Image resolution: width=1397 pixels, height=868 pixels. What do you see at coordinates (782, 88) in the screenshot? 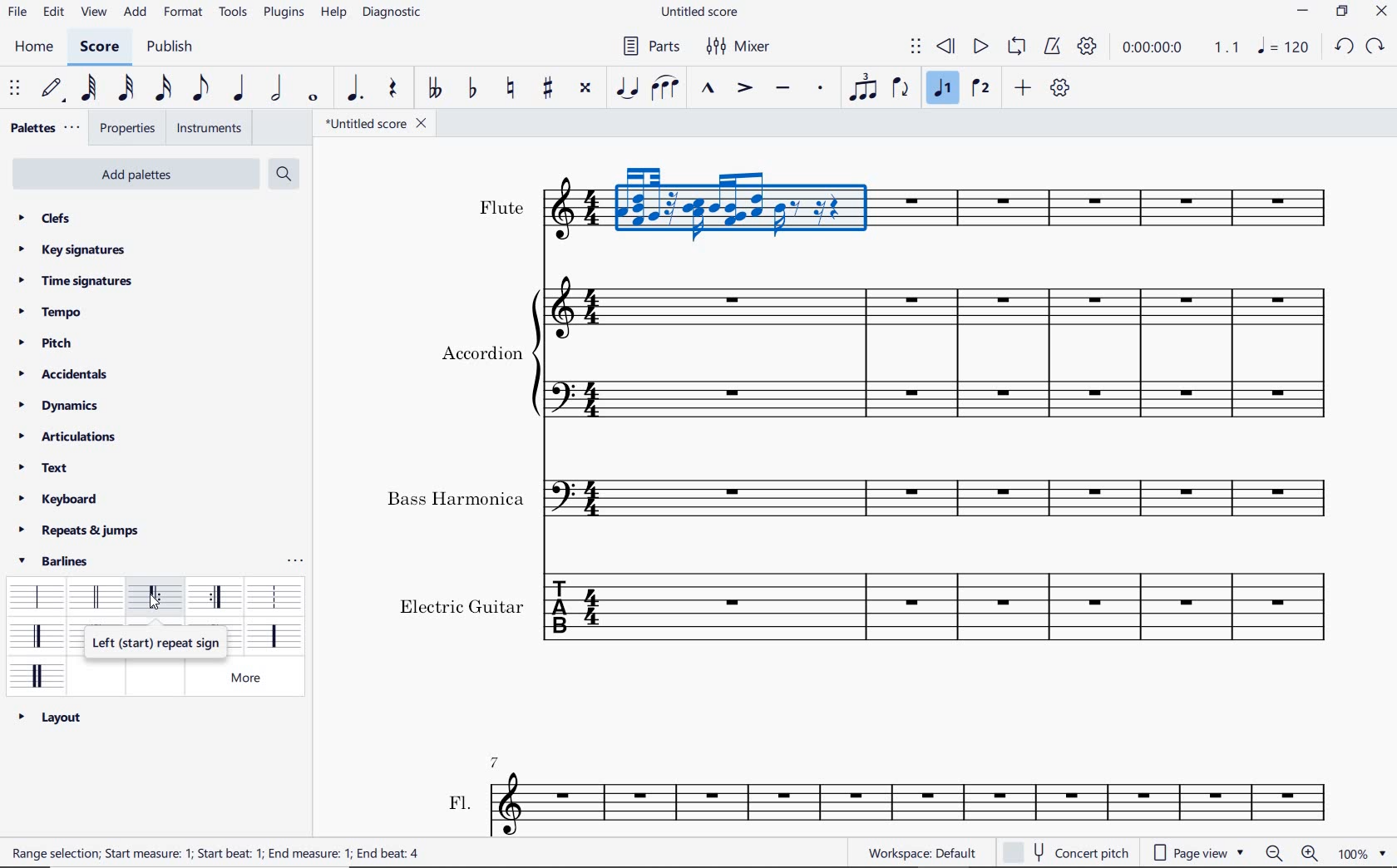
I see `tenuto` at bounding box center [782, 88].